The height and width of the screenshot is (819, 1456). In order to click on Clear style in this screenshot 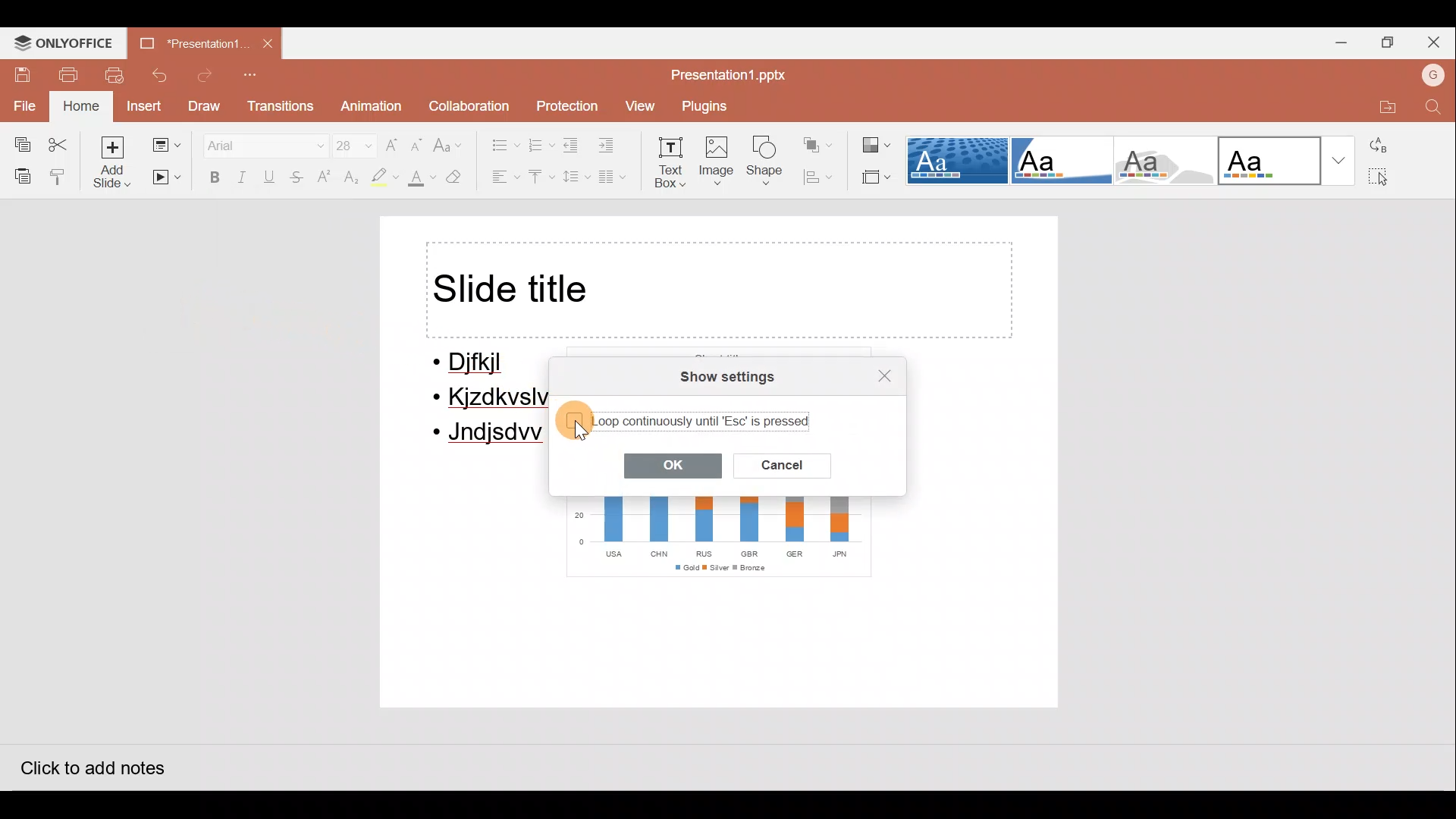, I will do `click(461, 179)`.